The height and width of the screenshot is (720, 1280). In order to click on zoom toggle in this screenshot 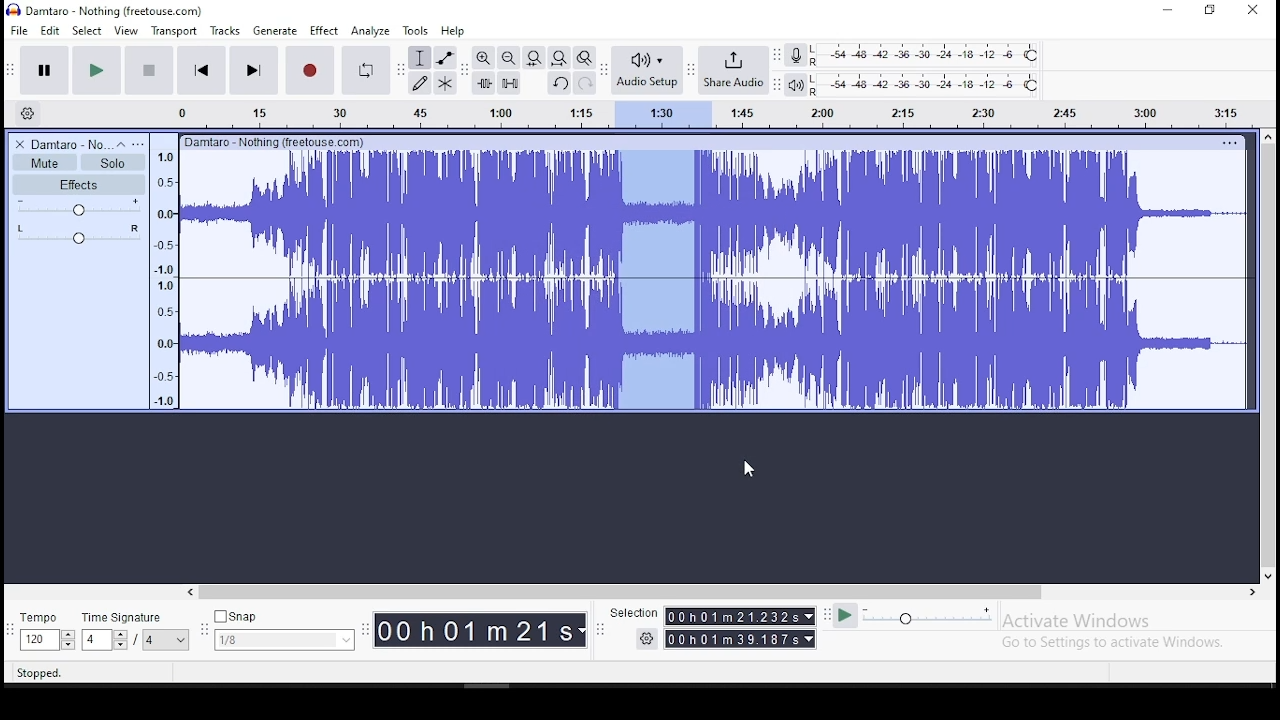, I will do `click(583, 59)`.